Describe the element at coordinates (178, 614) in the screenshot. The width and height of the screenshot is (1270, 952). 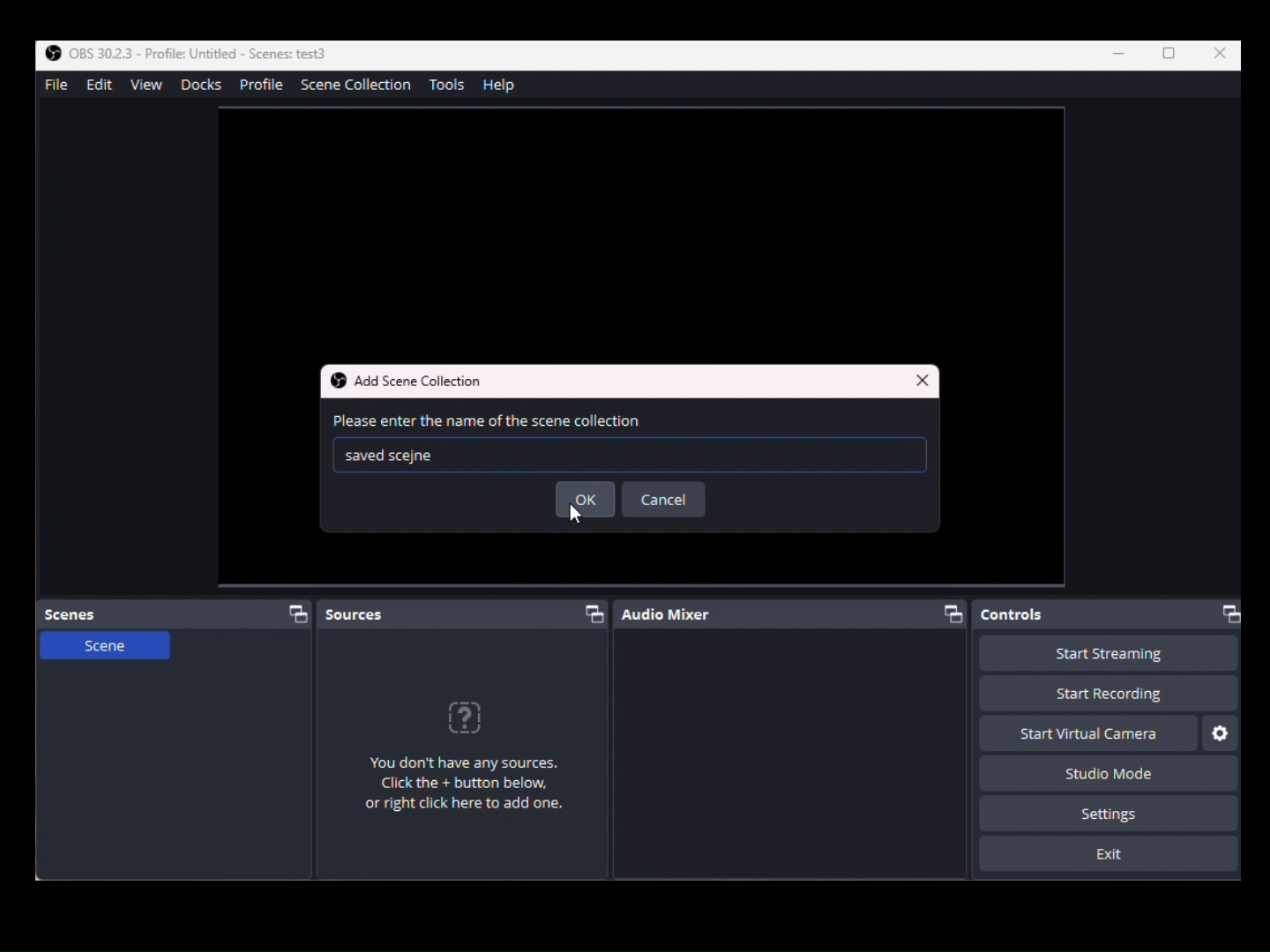
I see `Scenes` at that location.